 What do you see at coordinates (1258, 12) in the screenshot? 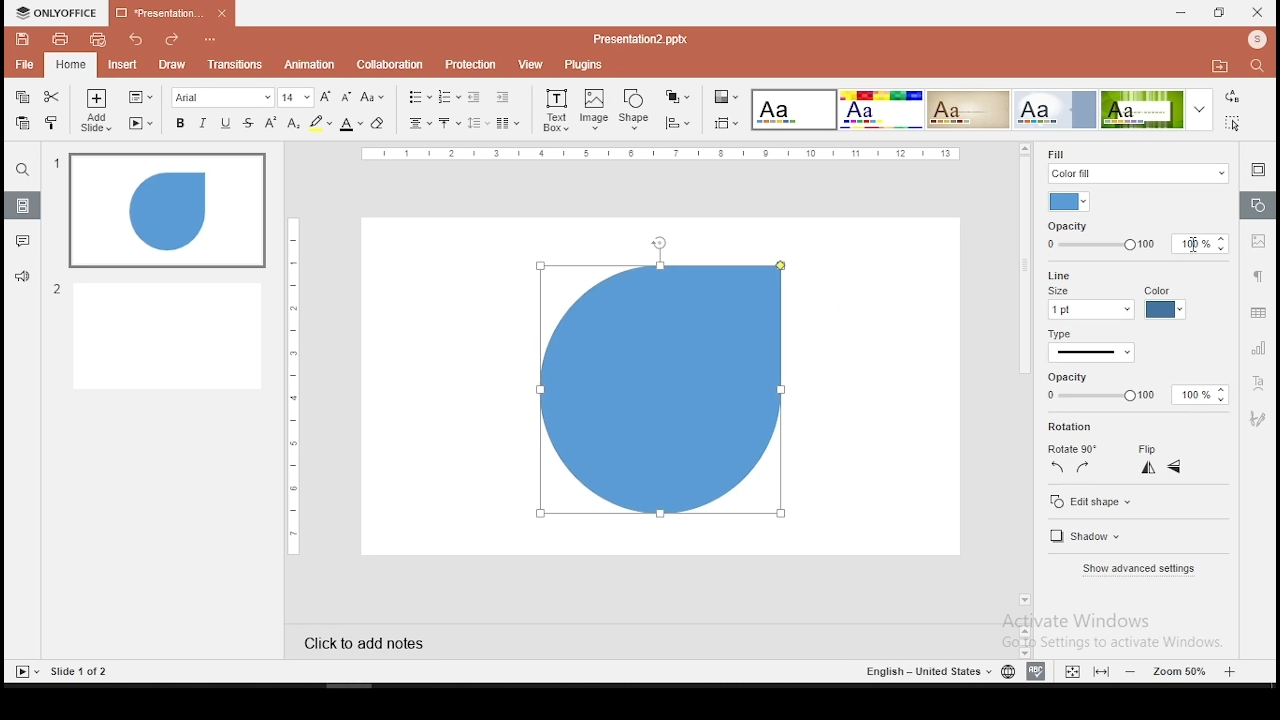
I see `close window` at bounding box center [1258, 12].